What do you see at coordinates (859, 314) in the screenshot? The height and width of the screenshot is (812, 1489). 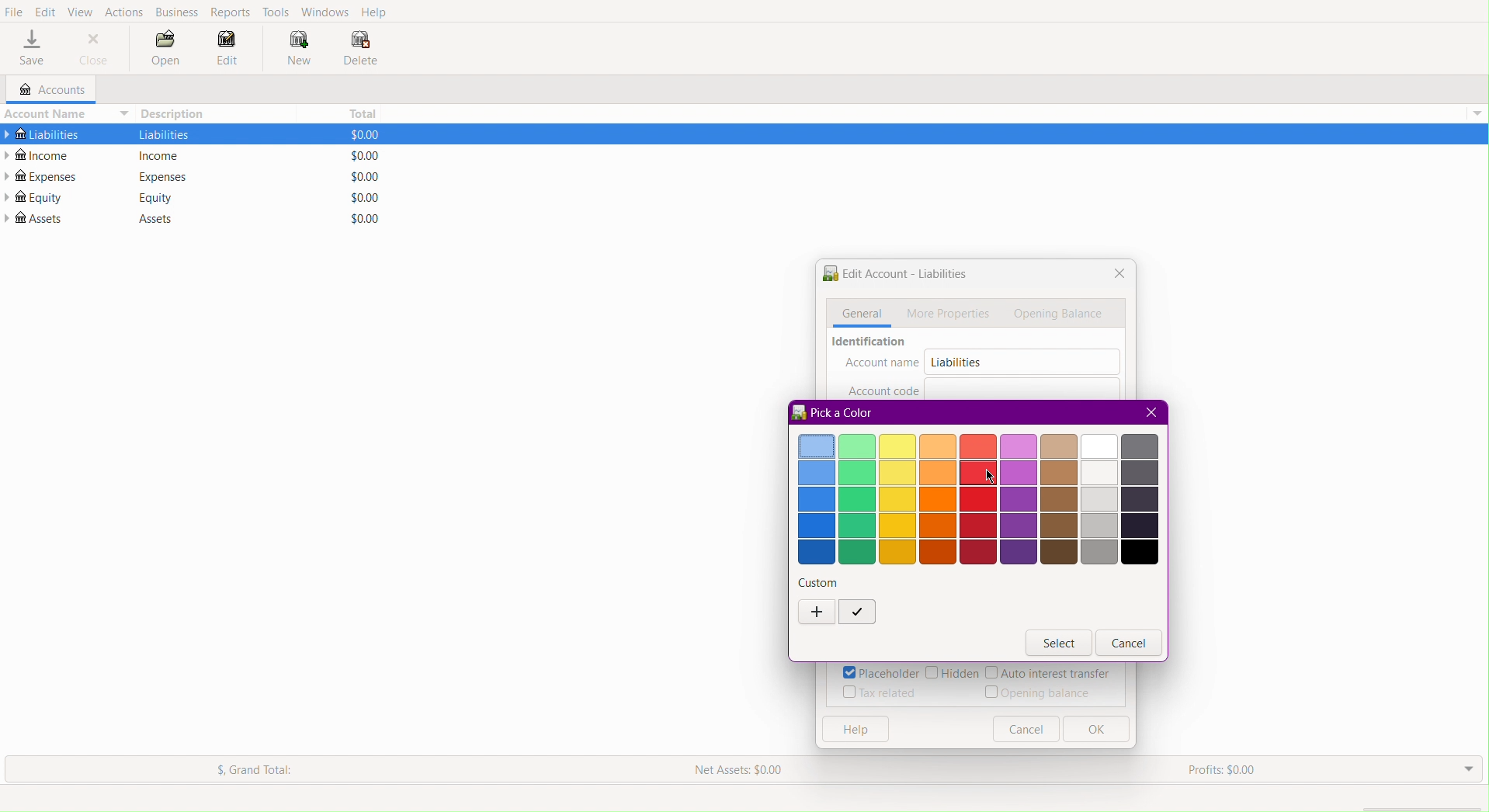 I see `General` at bounding box center [859, 314].